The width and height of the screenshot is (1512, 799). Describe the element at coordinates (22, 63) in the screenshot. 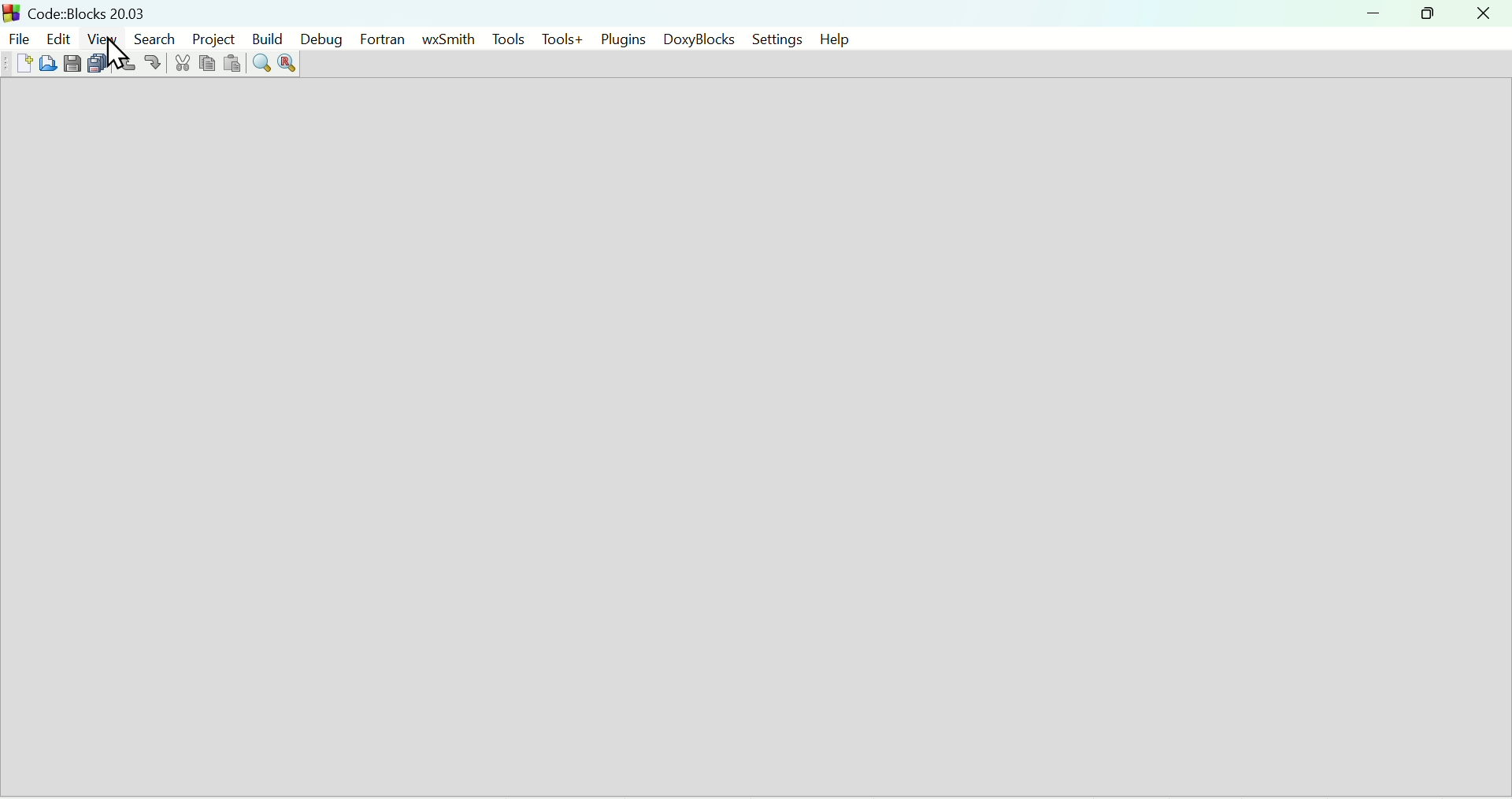

I see `New file` at that location.